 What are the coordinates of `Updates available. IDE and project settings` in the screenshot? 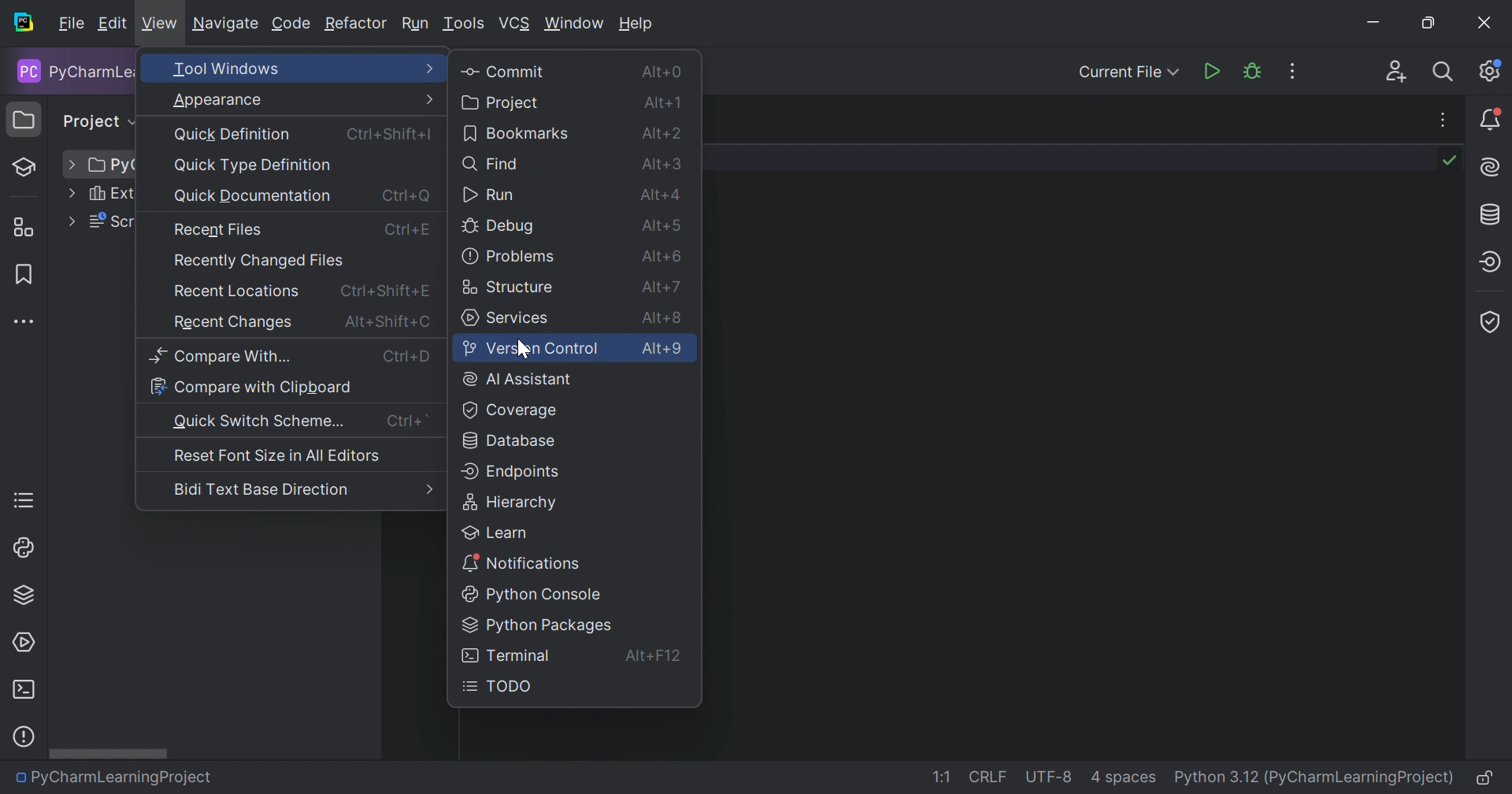 It's located at (1492, 70).